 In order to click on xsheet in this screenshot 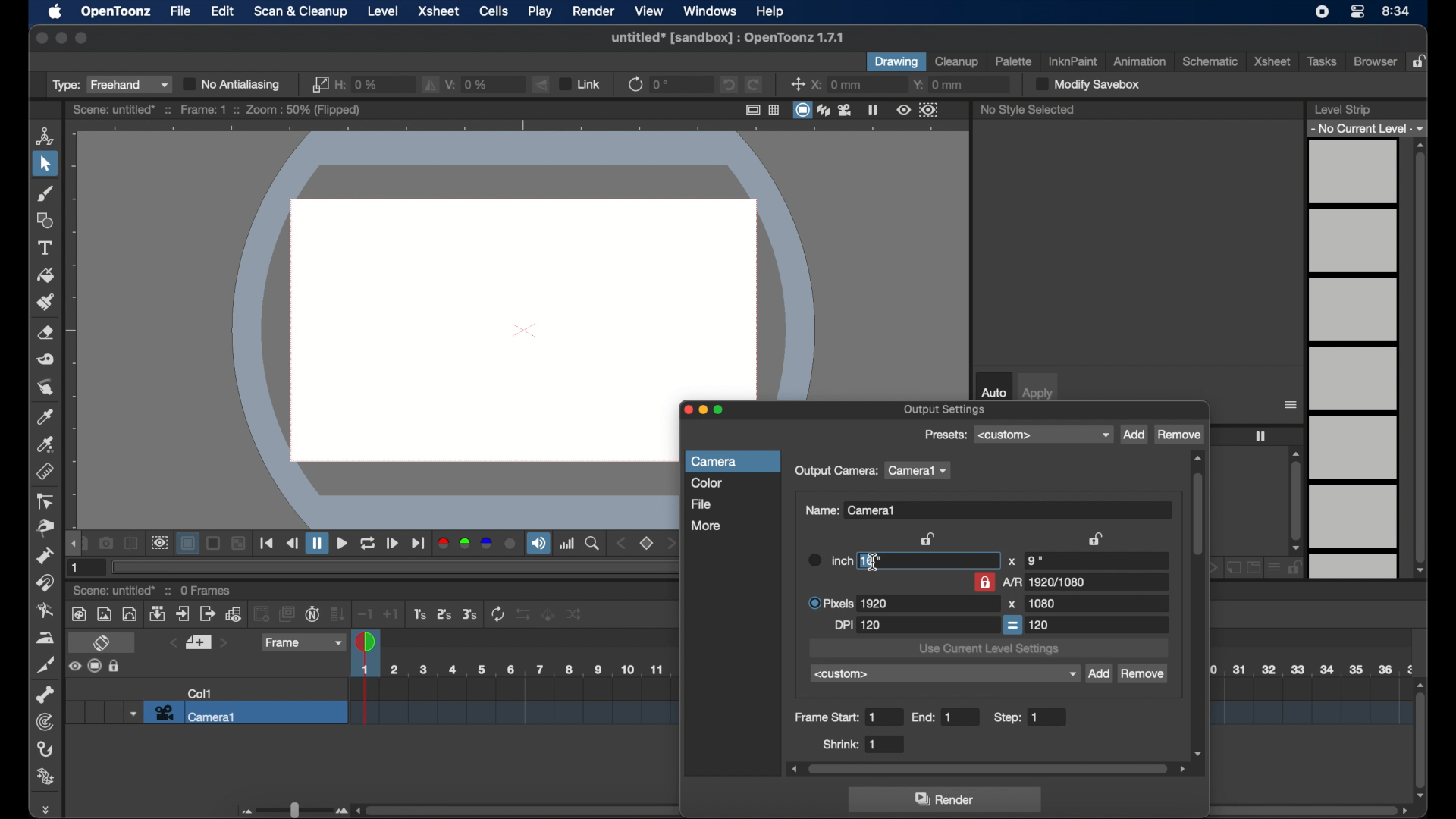, I will do `click(1272, 61)`.